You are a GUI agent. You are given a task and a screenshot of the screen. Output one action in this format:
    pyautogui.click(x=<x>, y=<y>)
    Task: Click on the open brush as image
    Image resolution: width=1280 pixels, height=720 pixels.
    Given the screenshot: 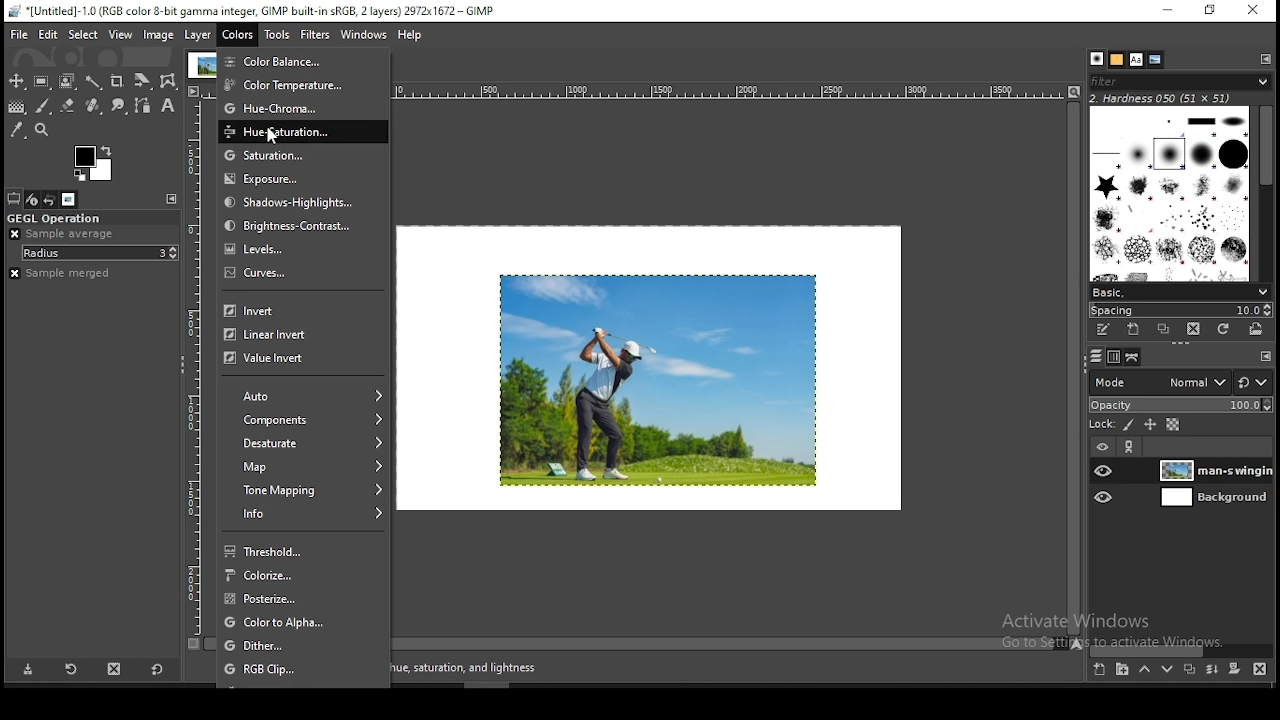 What is the action you would take?
    pyautogui.click(x=1256, y=329)
    